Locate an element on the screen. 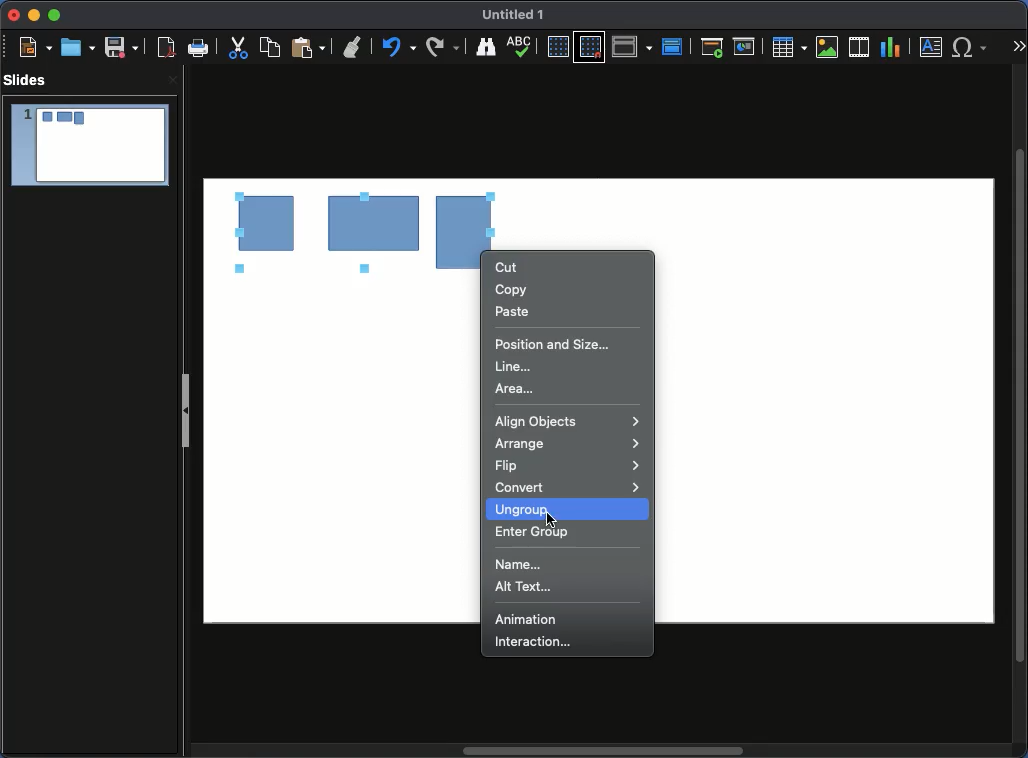  Objects is located at coordinates (365, 224).